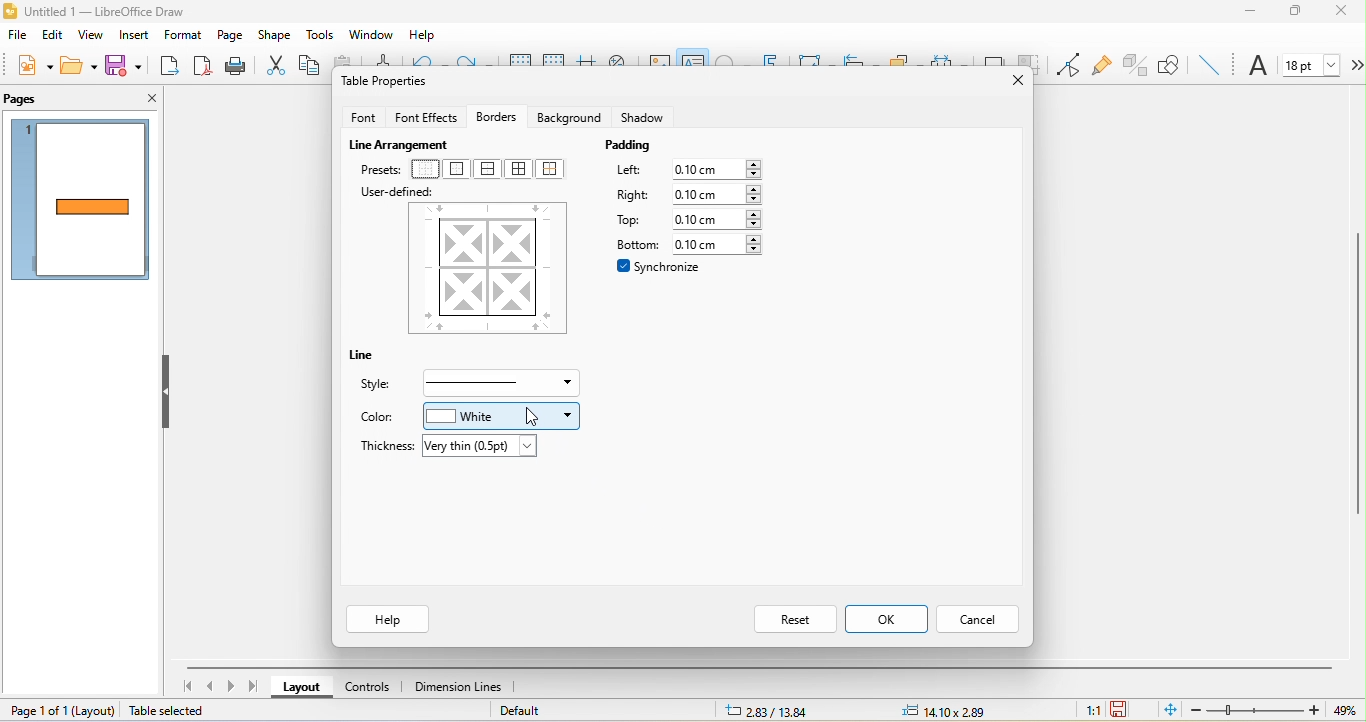 The height and width of the screenshot is (722, 1366). Describe the element at coordinates (82, 202) in the screenshot. I see `page1` at that location.